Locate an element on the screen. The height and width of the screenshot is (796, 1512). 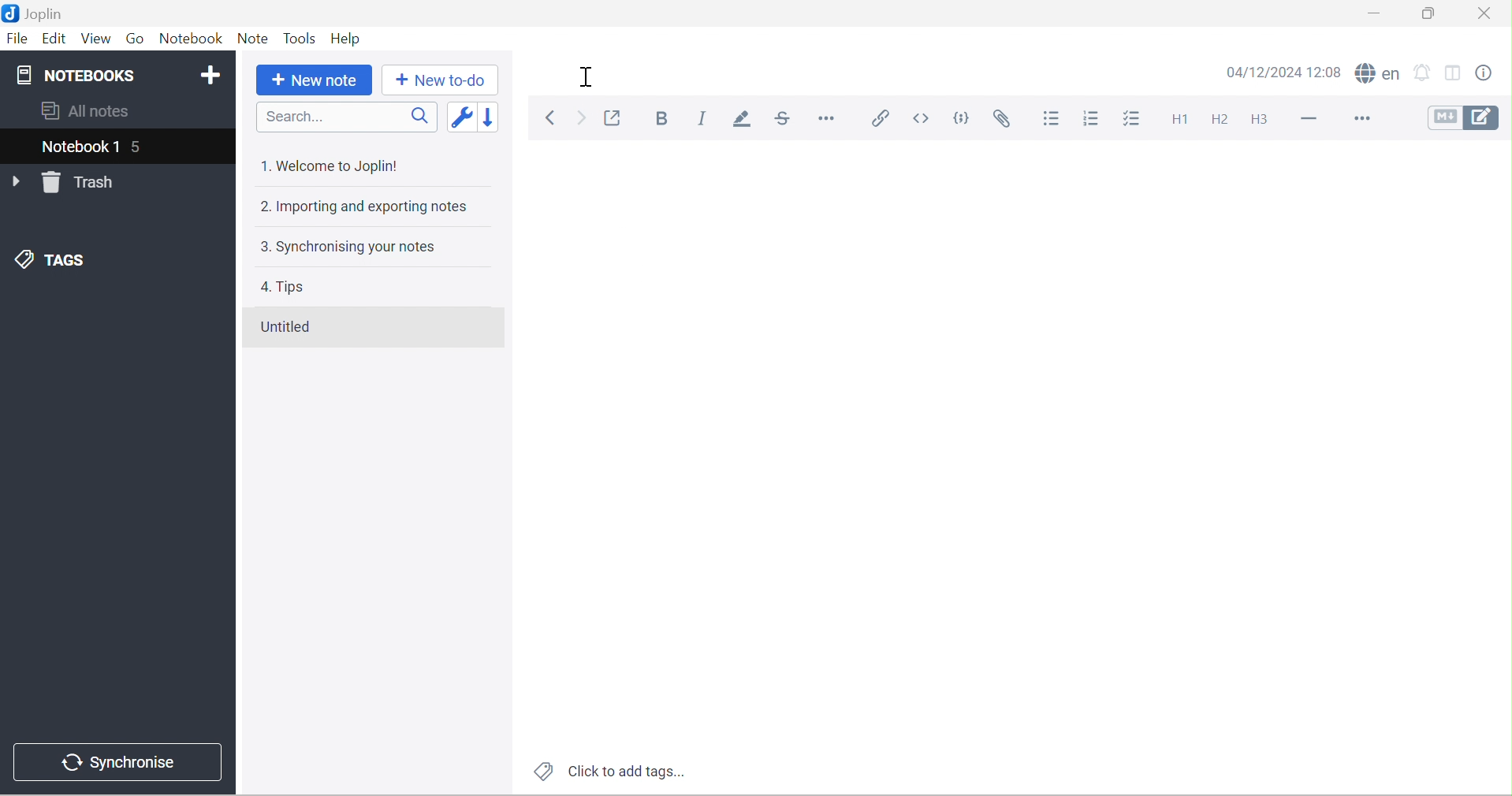
More is located at coordinates (1361, 119).